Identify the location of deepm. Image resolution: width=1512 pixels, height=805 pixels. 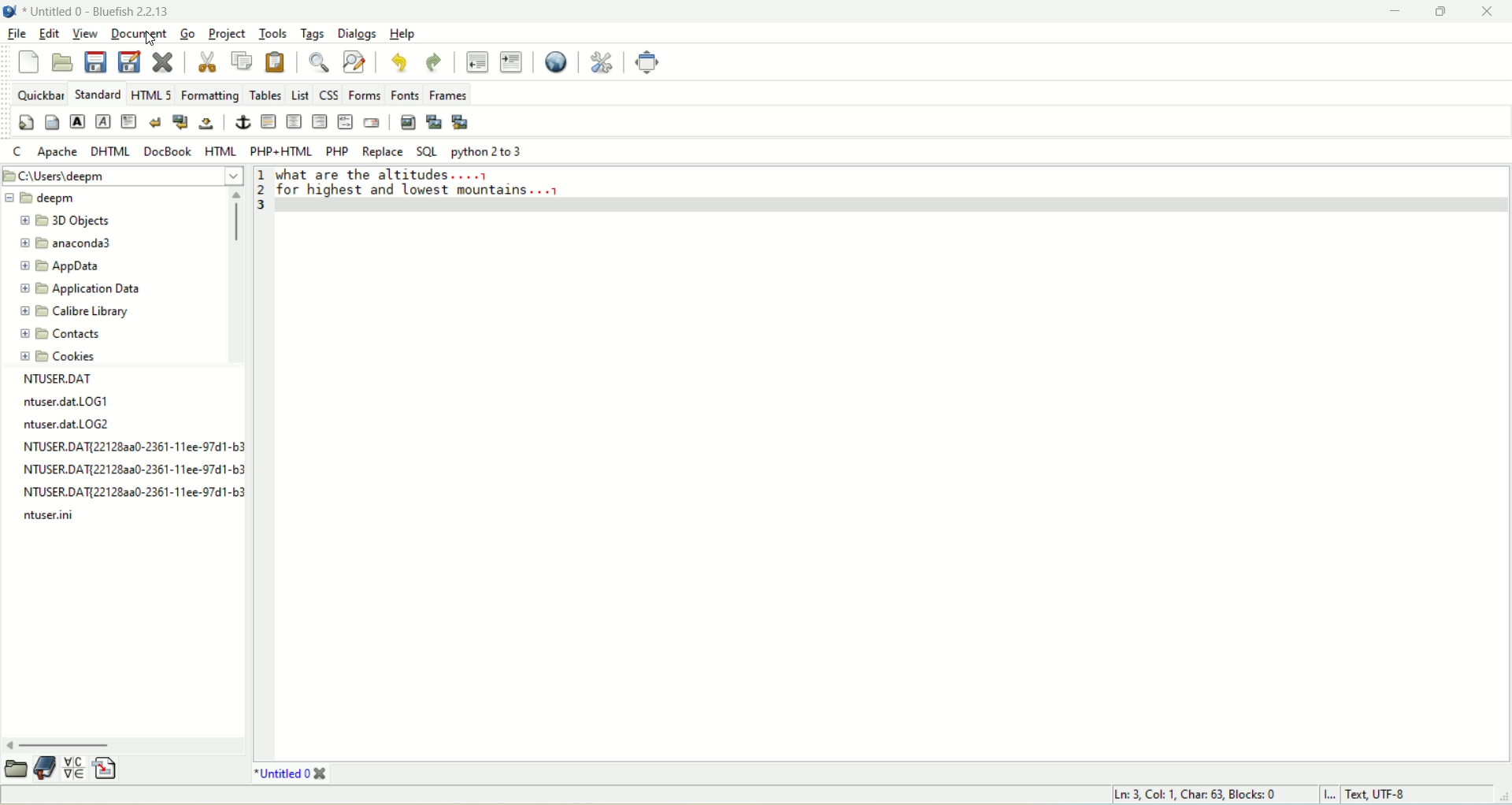
(45, 197).